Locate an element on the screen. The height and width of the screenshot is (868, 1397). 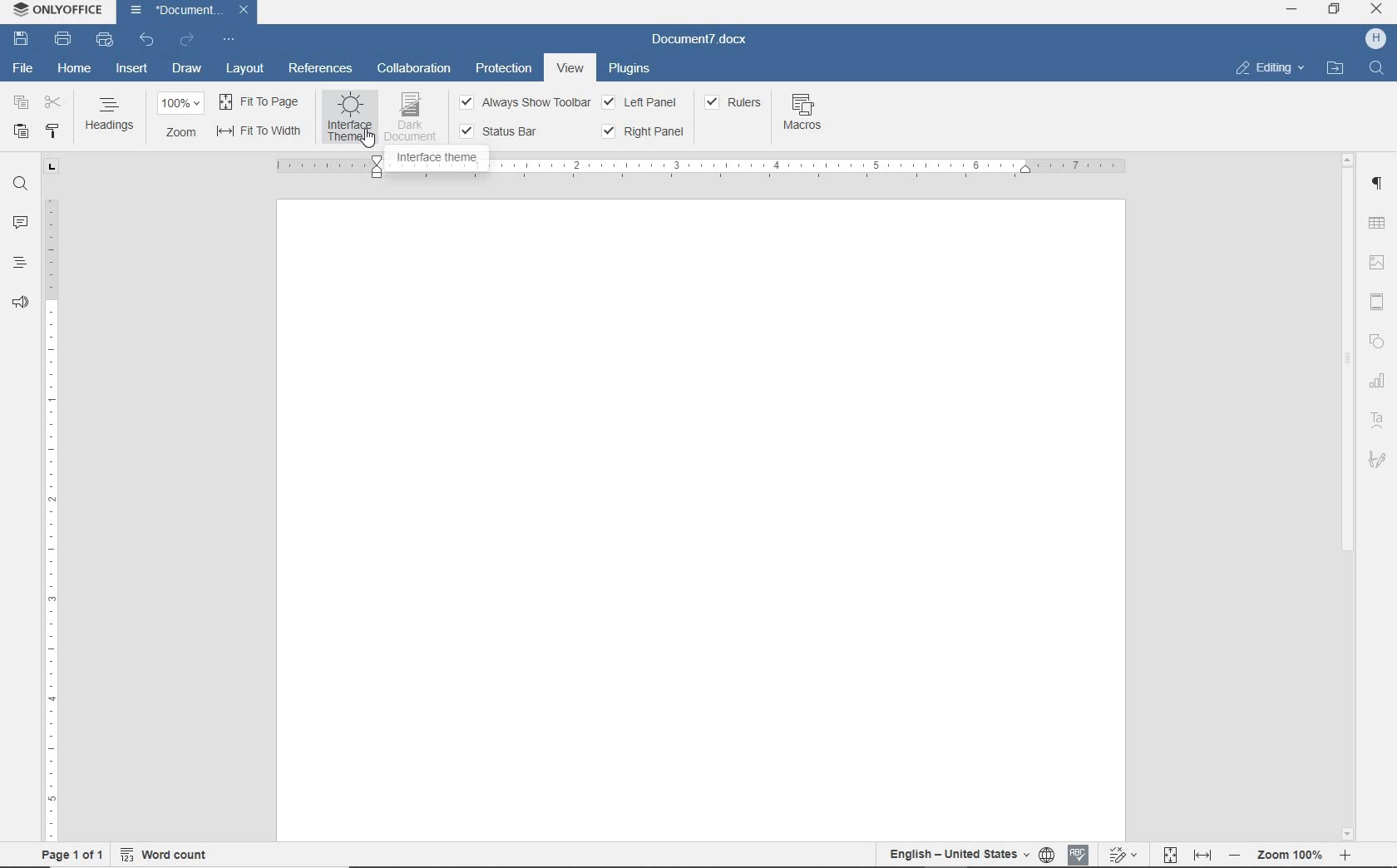
STATUS BBAR is located at coordinates (499, 131).